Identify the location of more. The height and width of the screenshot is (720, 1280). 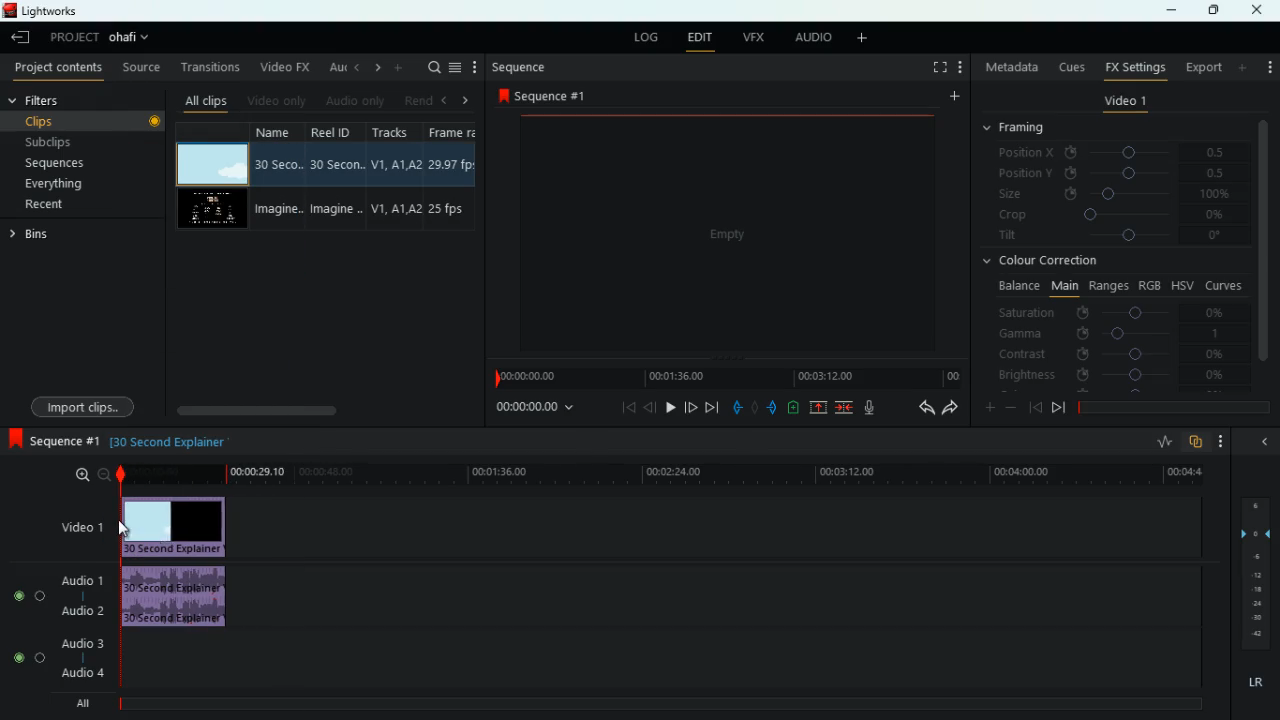
(1244, 67).